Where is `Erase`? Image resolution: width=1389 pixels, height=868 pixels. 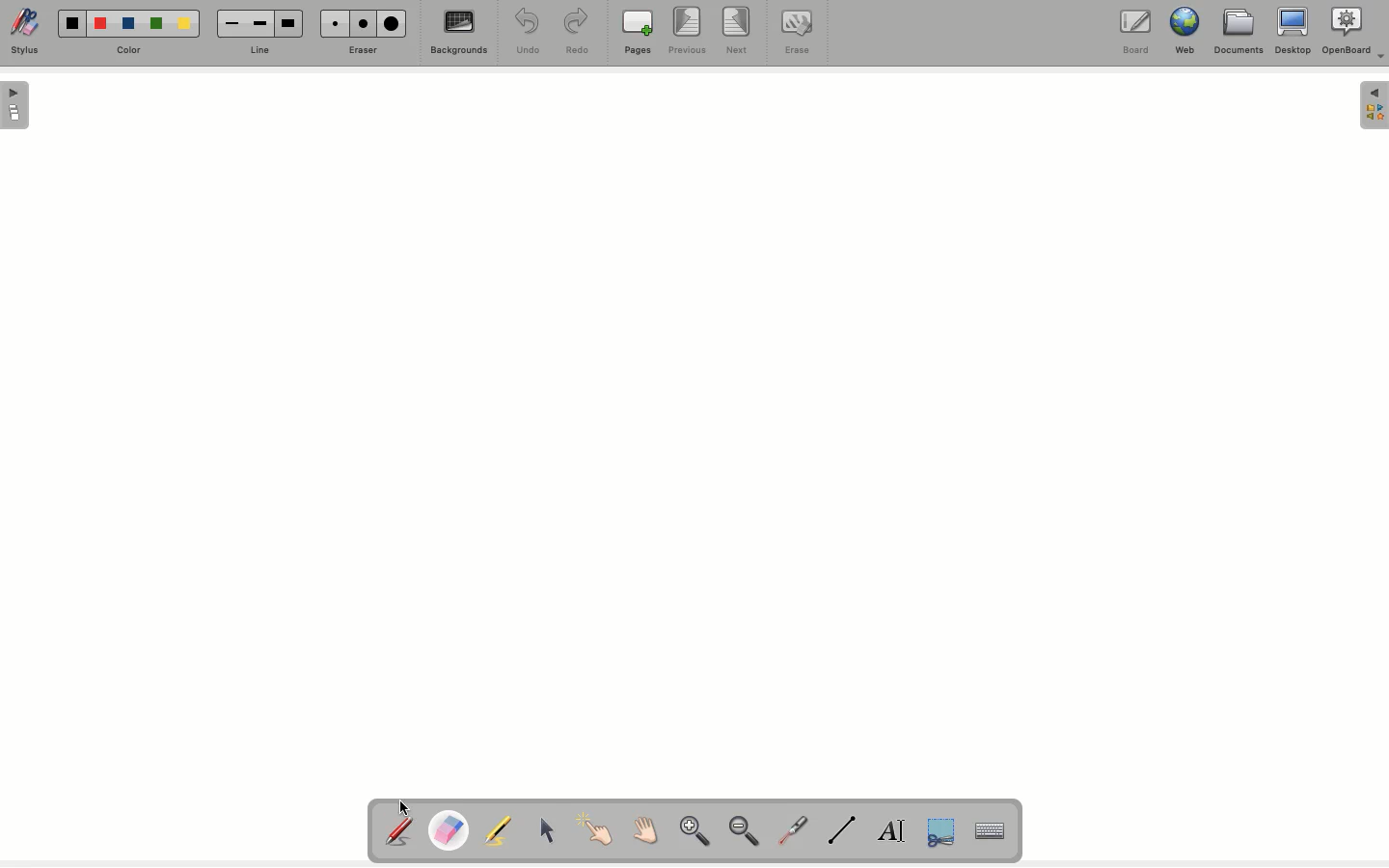 Erase is located at coordinates (797, 35).